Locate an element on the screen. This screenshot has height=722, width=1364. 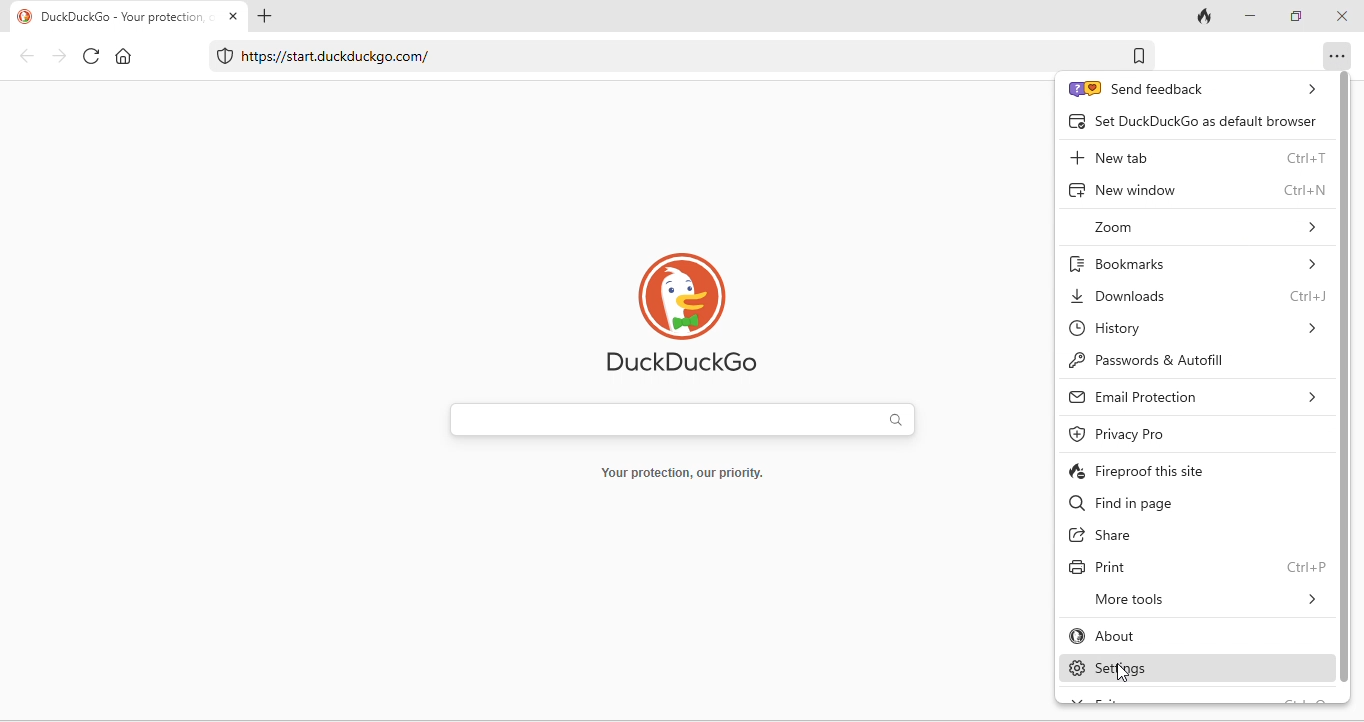
refresh is located at coordinates (92, 56).